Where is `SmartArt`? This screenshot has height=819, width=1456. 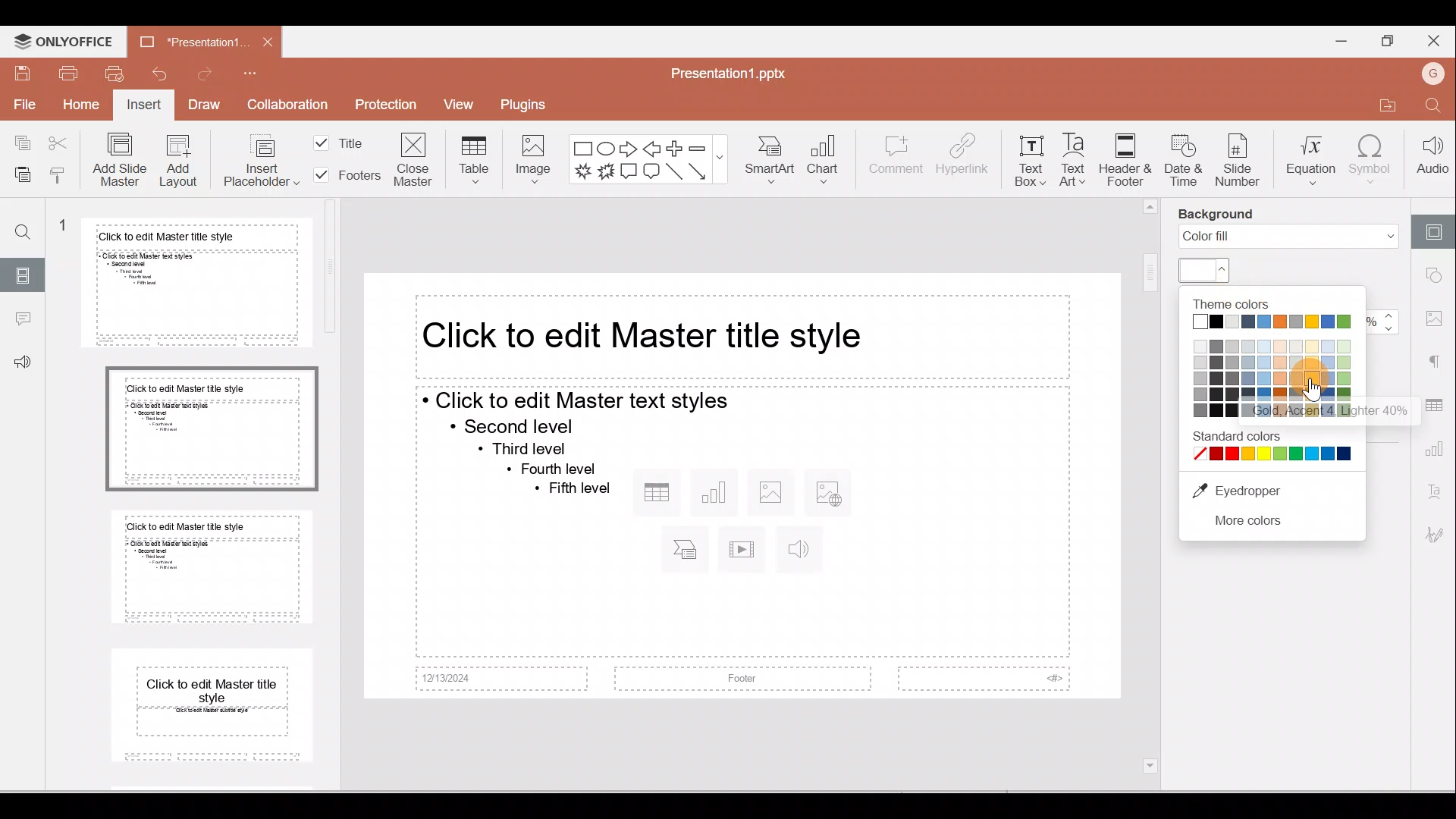
SmartArt is located at coordinates (772, 158).